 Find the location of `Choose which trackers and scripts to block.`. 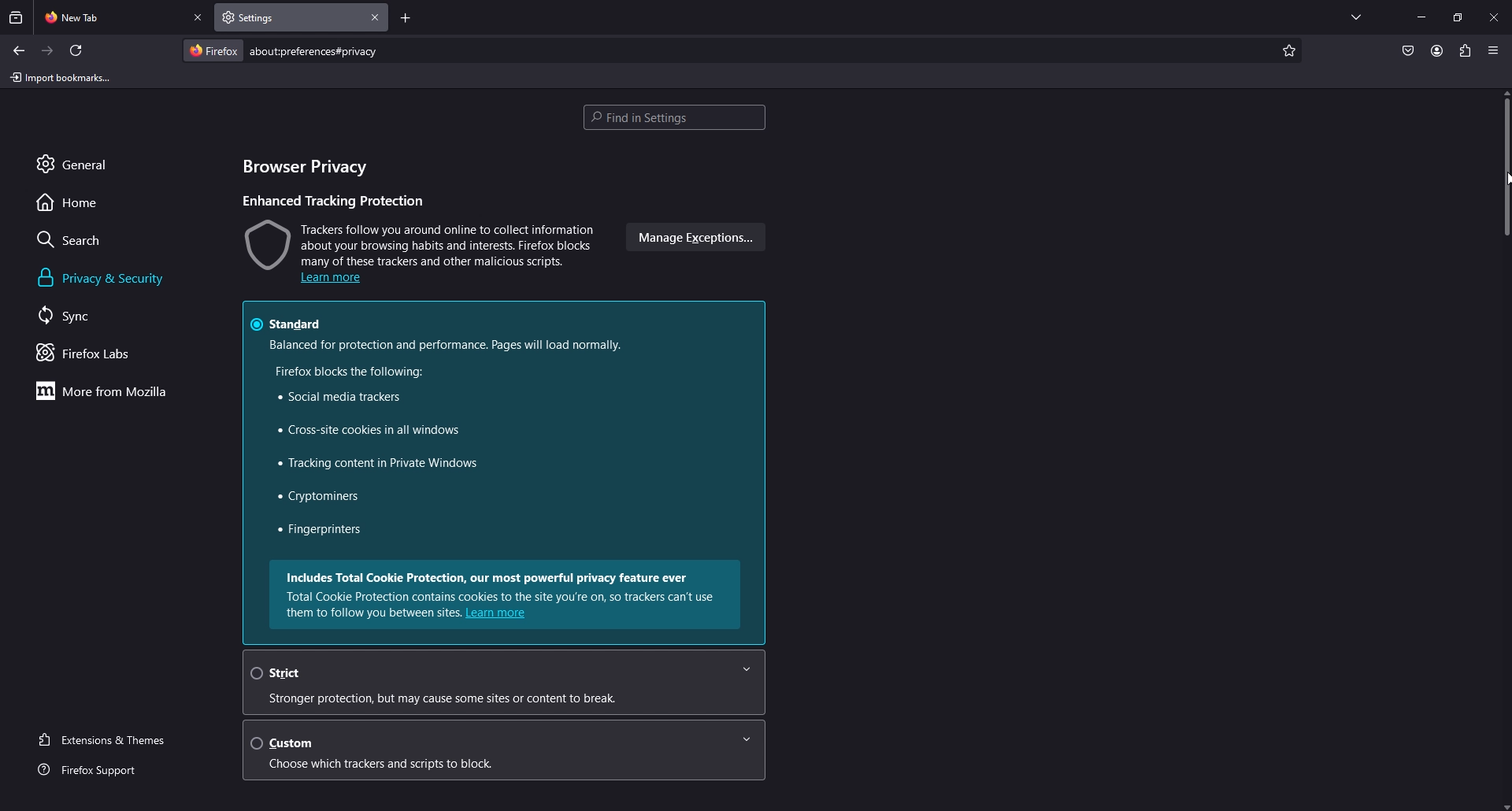

Choose which trackers and scripts to block. is located at coordinates (403, 765).